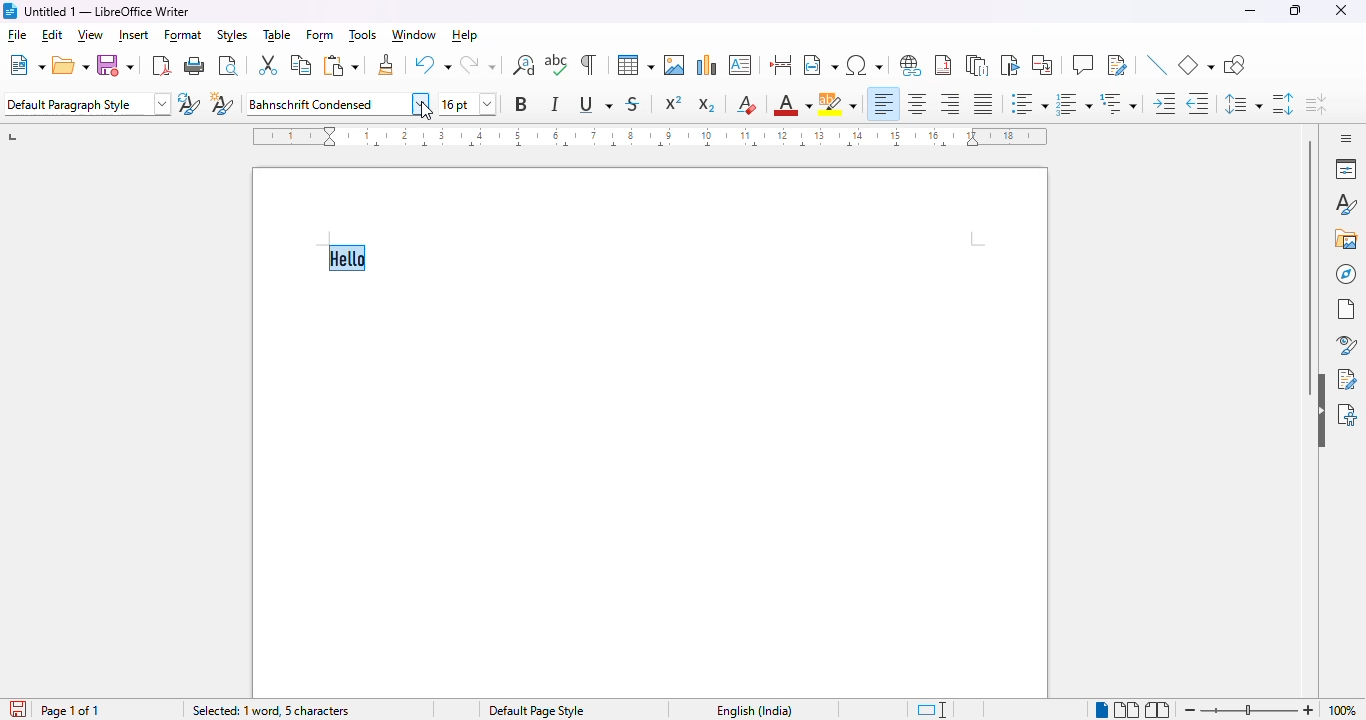 The height and width of the screenshot is (720, 1366). What do you see at coordinates (538, 711) in the screenshot?
I see `default page style` at bounding box center [538, 711].